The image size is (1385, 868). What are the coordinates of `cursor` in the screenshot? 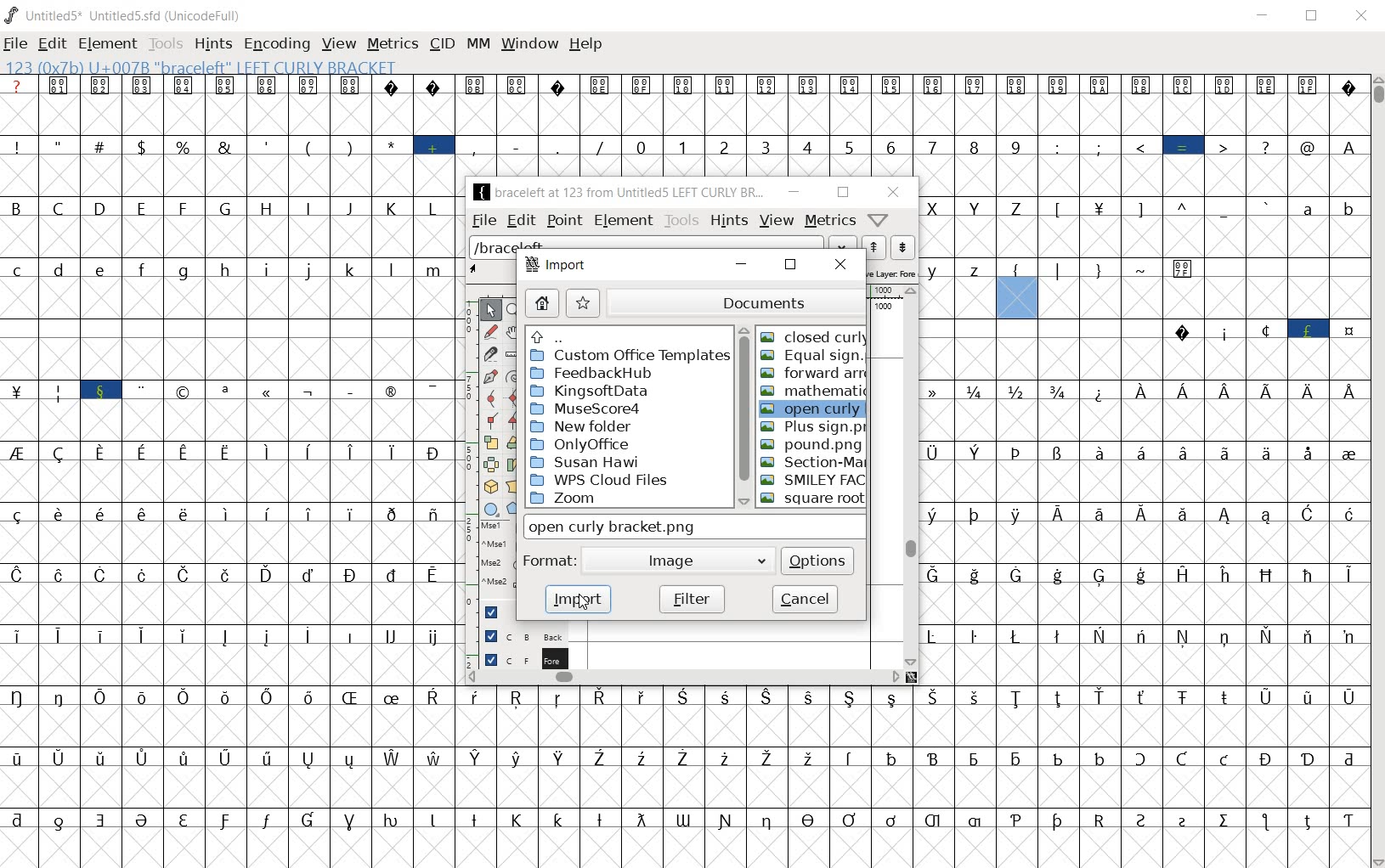 It's located at (580, 601).